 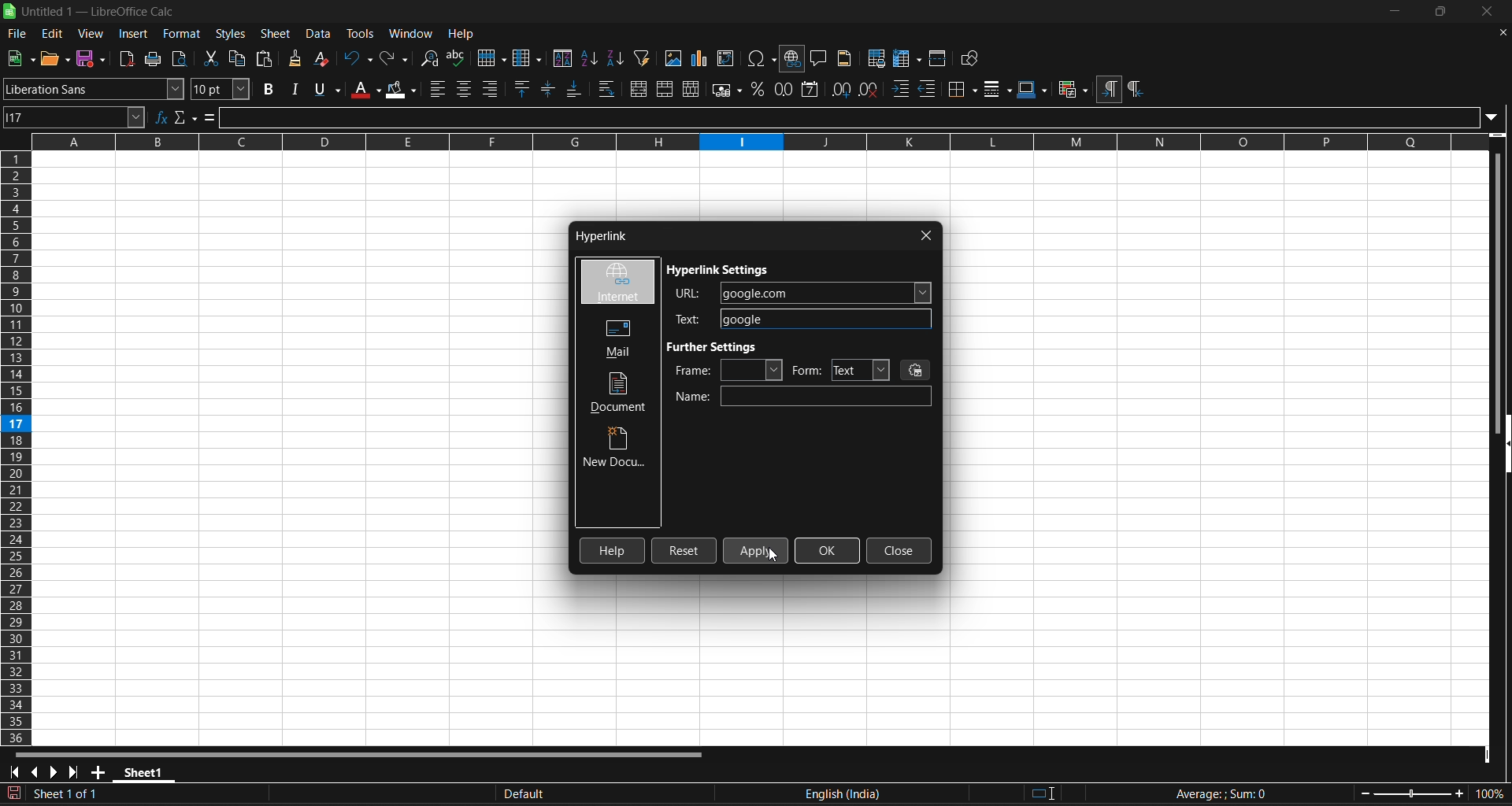 What do you see at coordinates (613, 550) in the screenshot?
I see `help` at bounding box center [613, 550].